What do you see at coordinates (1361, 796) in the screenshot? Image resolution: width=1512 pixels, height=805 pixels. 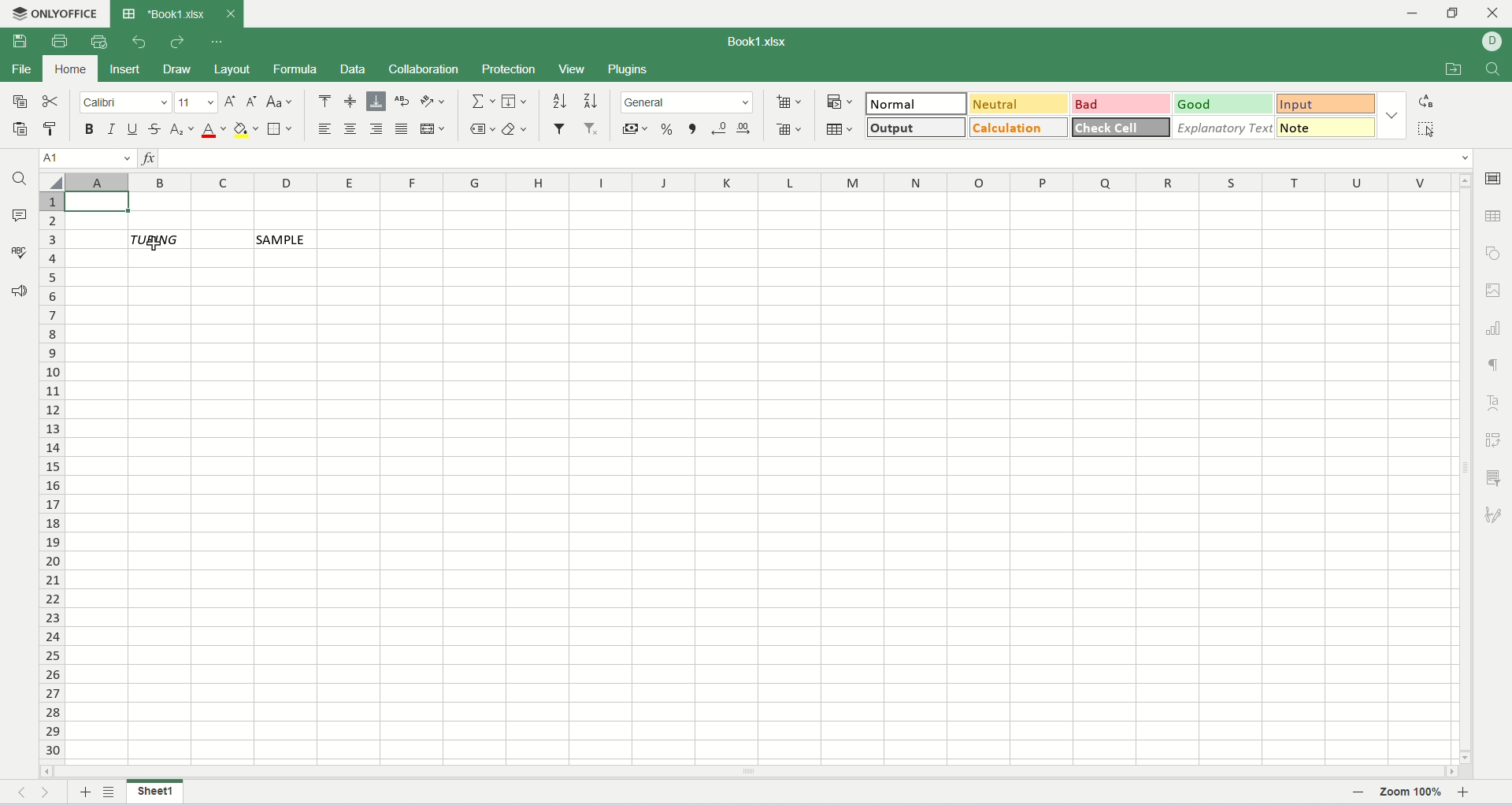 I see `zoom out` at bounding box center [1361, 796].